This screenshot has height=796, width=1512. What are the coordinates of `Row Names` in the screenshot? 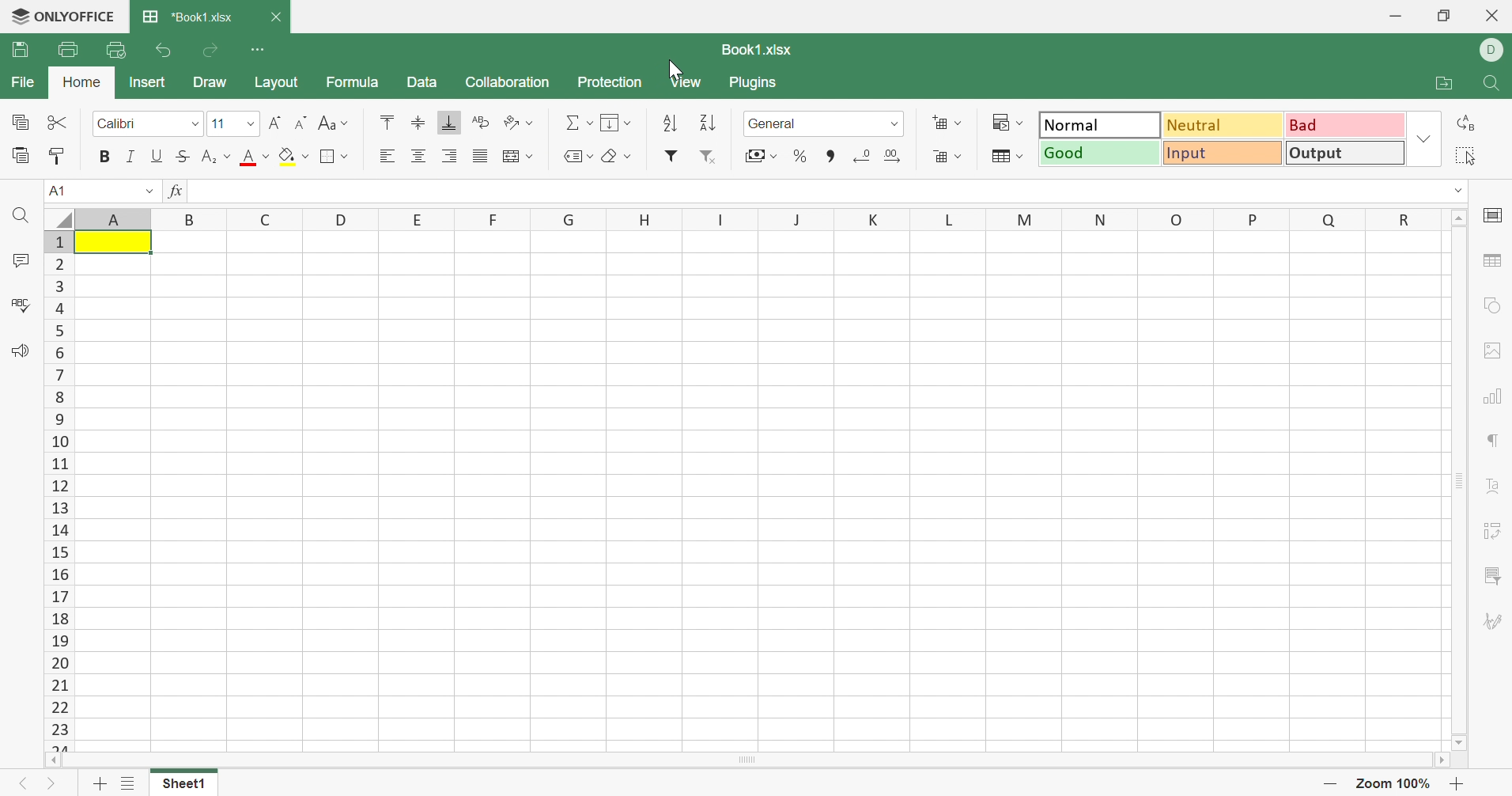 It's located at (57, 490).